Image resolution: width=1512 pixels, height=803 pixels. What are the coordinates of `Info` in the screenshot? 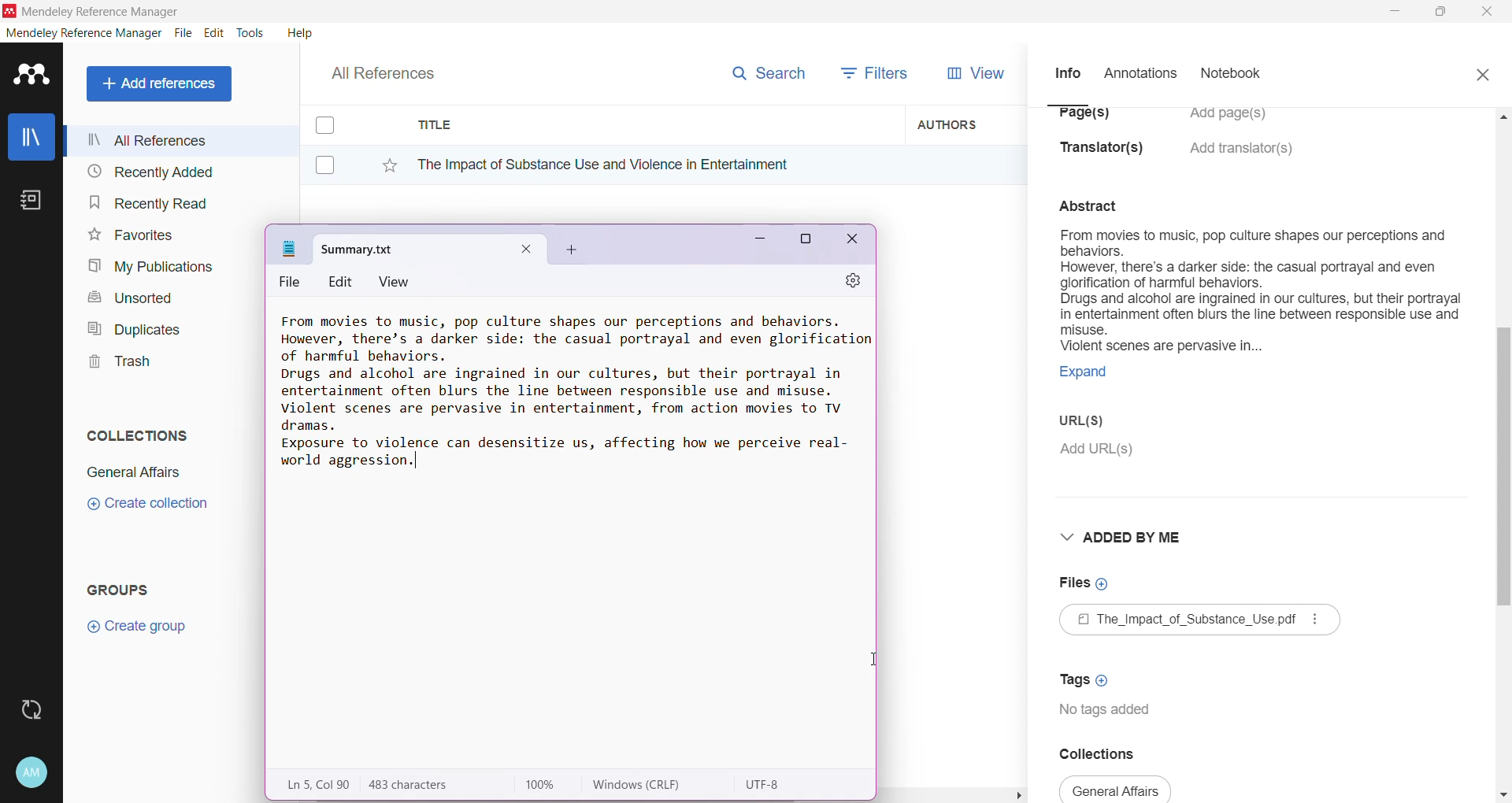 It's located at (1067, 72).